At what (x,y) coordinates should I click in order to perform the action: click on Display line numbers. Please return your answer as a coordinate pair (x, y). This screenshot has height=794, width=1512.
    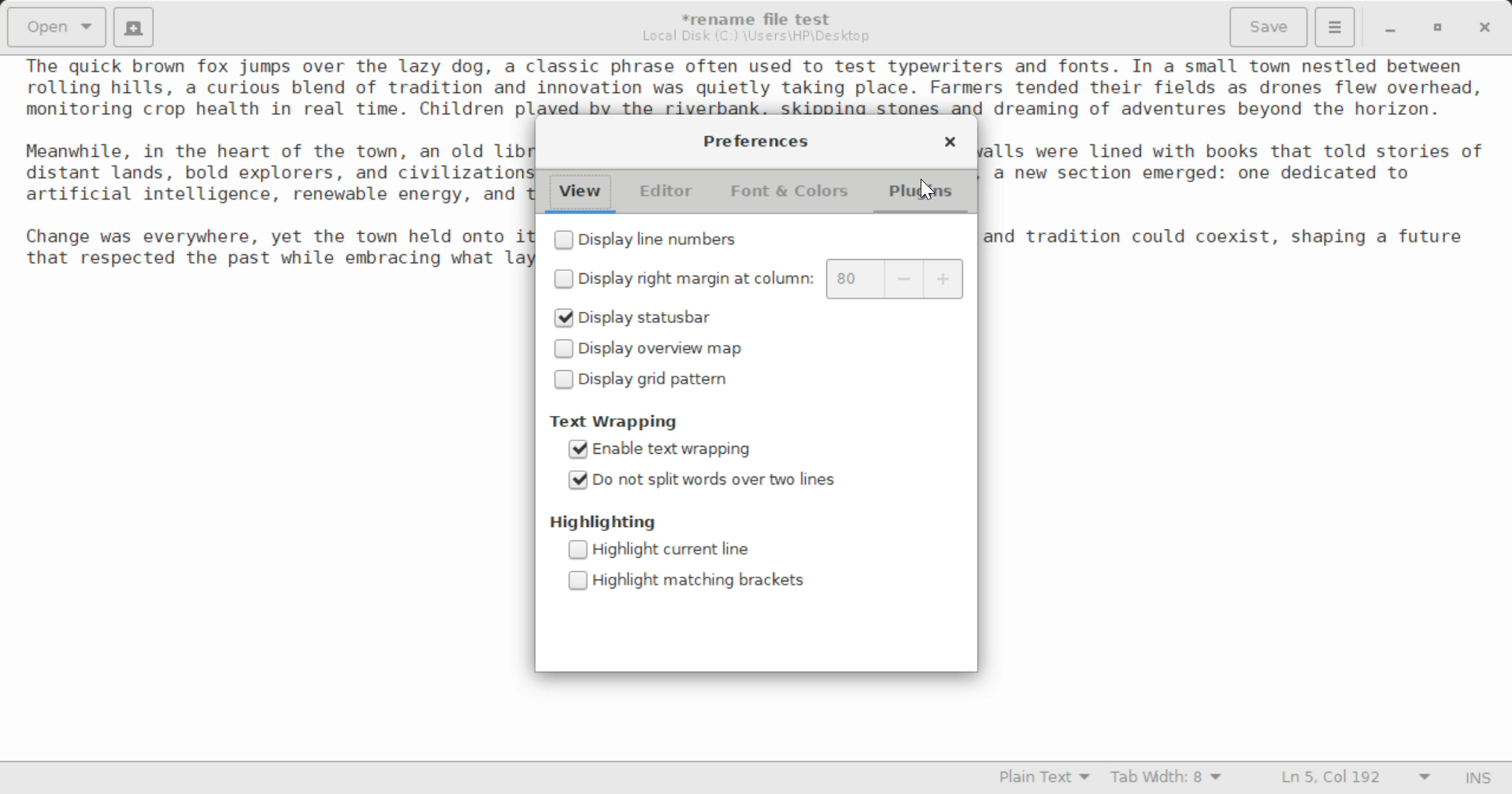
    Looking at the image, I should click on (647, 242).